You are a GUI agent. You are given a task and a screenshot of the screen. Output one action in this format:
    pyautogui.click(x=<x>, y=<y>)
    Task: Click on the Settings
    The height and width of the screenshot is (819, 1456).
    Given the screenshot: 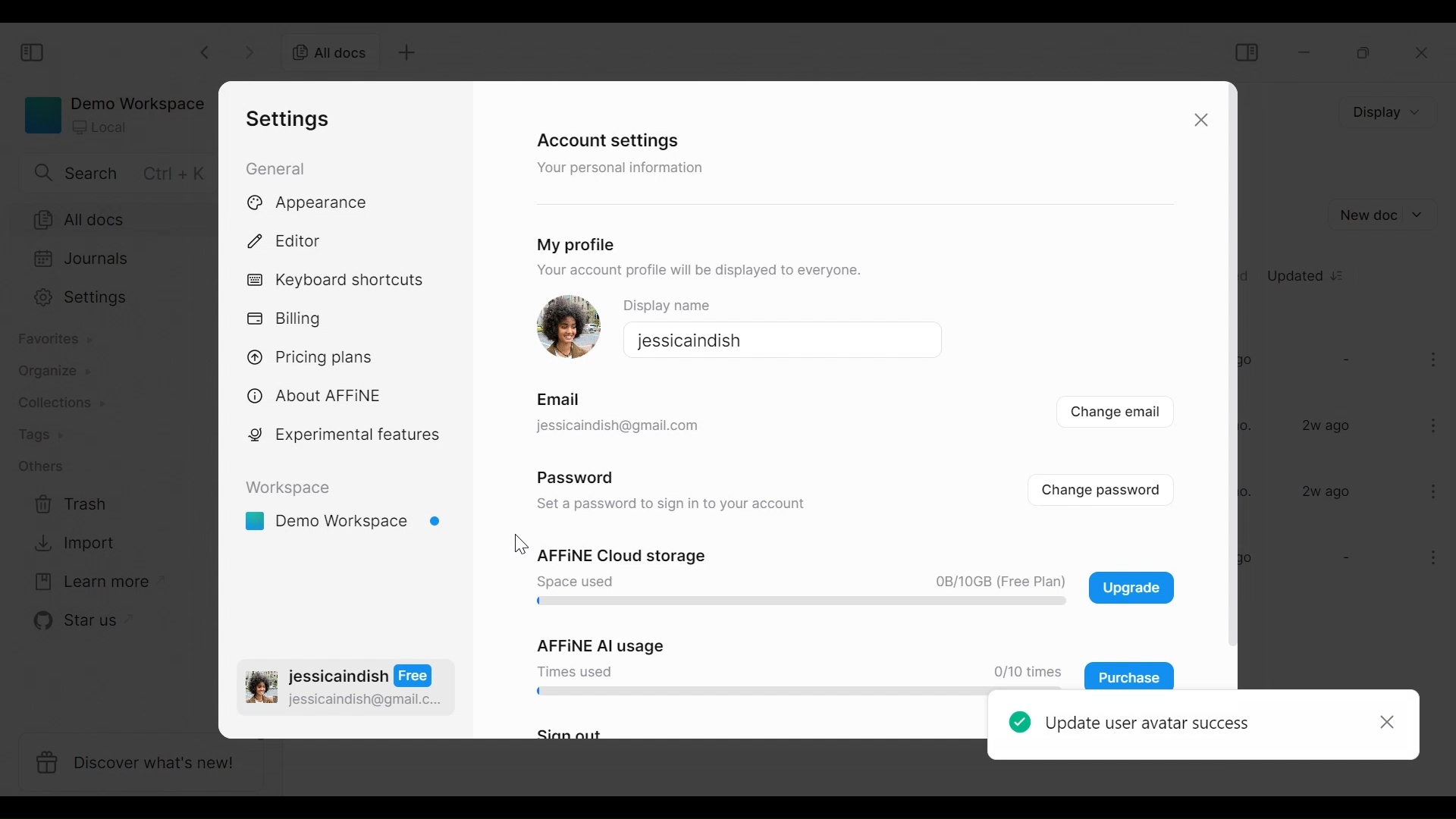 What is the action you would take?
    pyautogui.click(x=286, y=119)
    